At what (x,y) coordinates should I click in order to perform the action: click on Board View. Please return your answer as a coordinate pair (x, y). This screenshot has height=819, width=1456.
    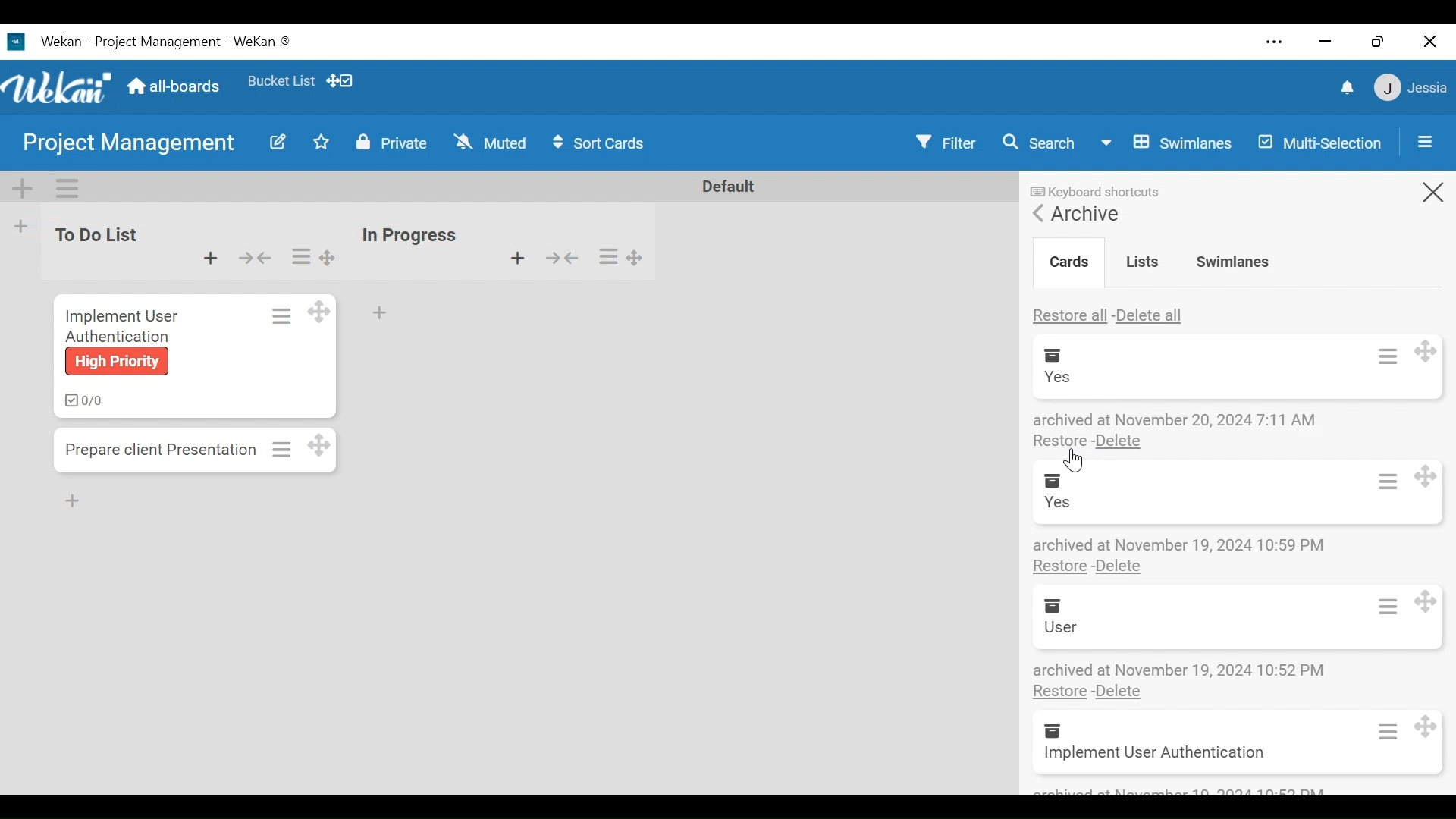
    Looking at the image, I should click on (1164, 143).